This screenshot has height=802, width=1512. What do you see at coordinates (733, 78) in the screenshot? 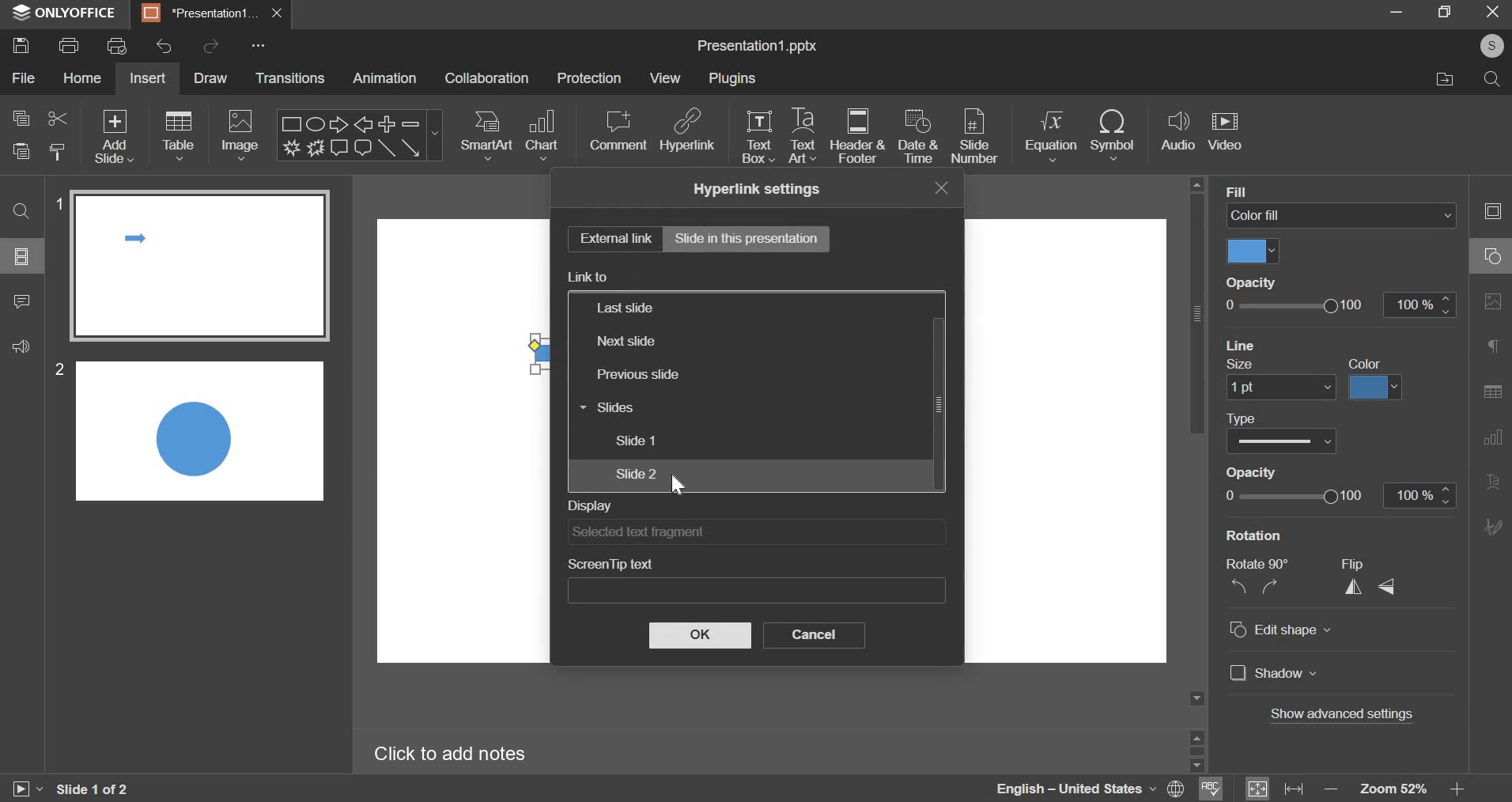
I see `plugins` at bounding box center [733, 78].